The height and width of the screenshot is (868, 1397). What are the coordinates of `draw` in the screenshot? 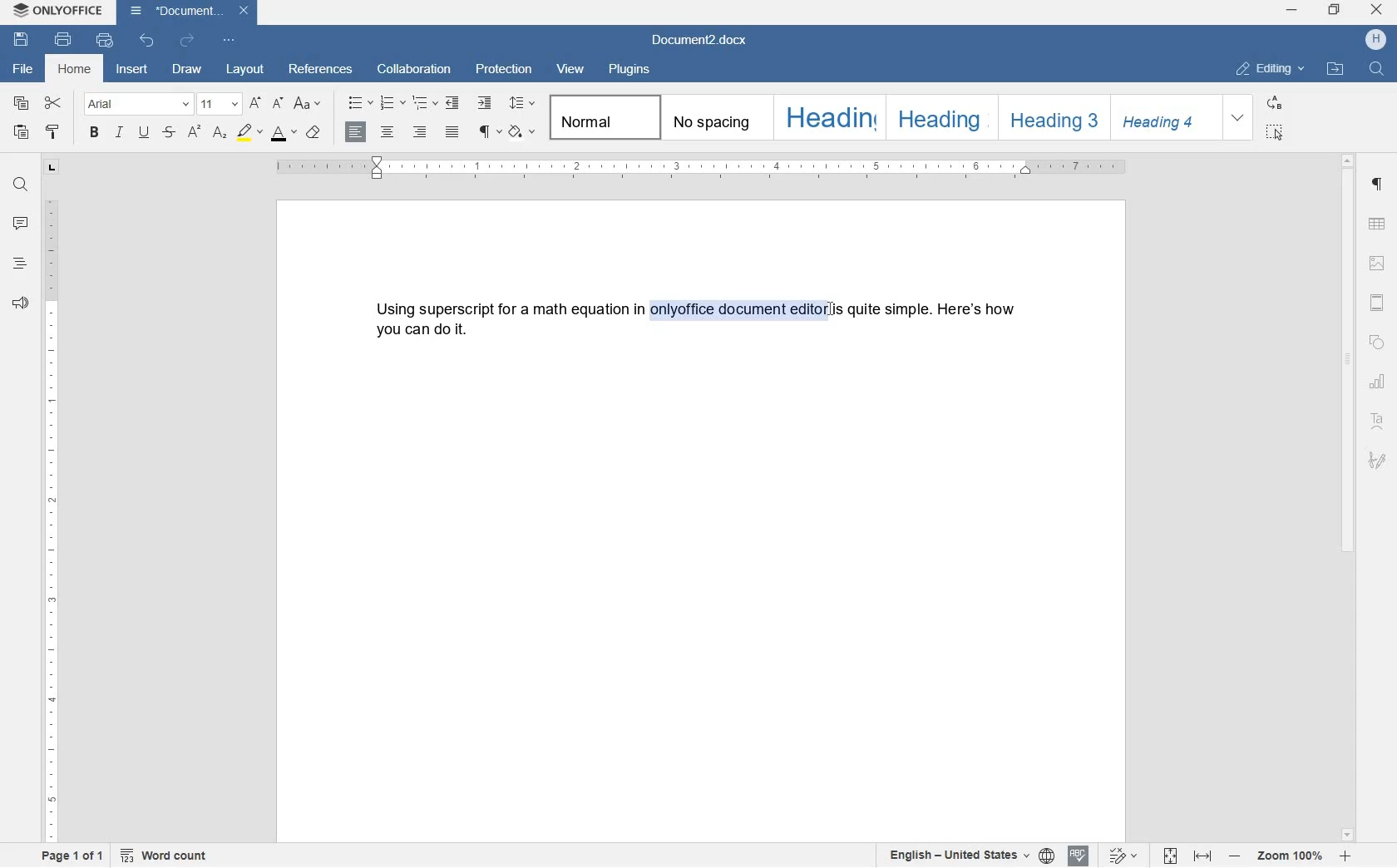 It's located at (192, 69).